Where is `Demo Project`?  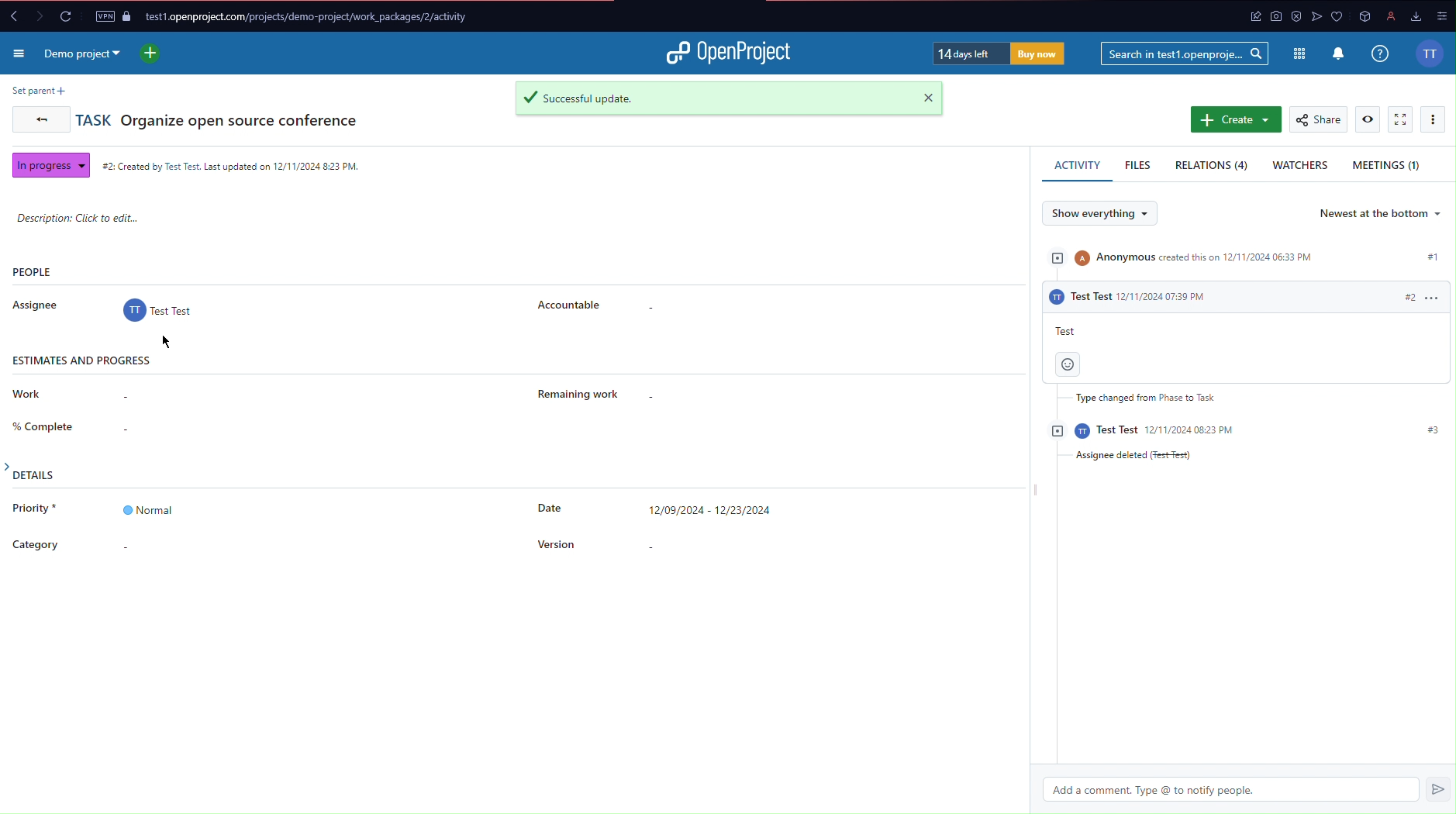 Demo Project is located at coordinates (85, 57).